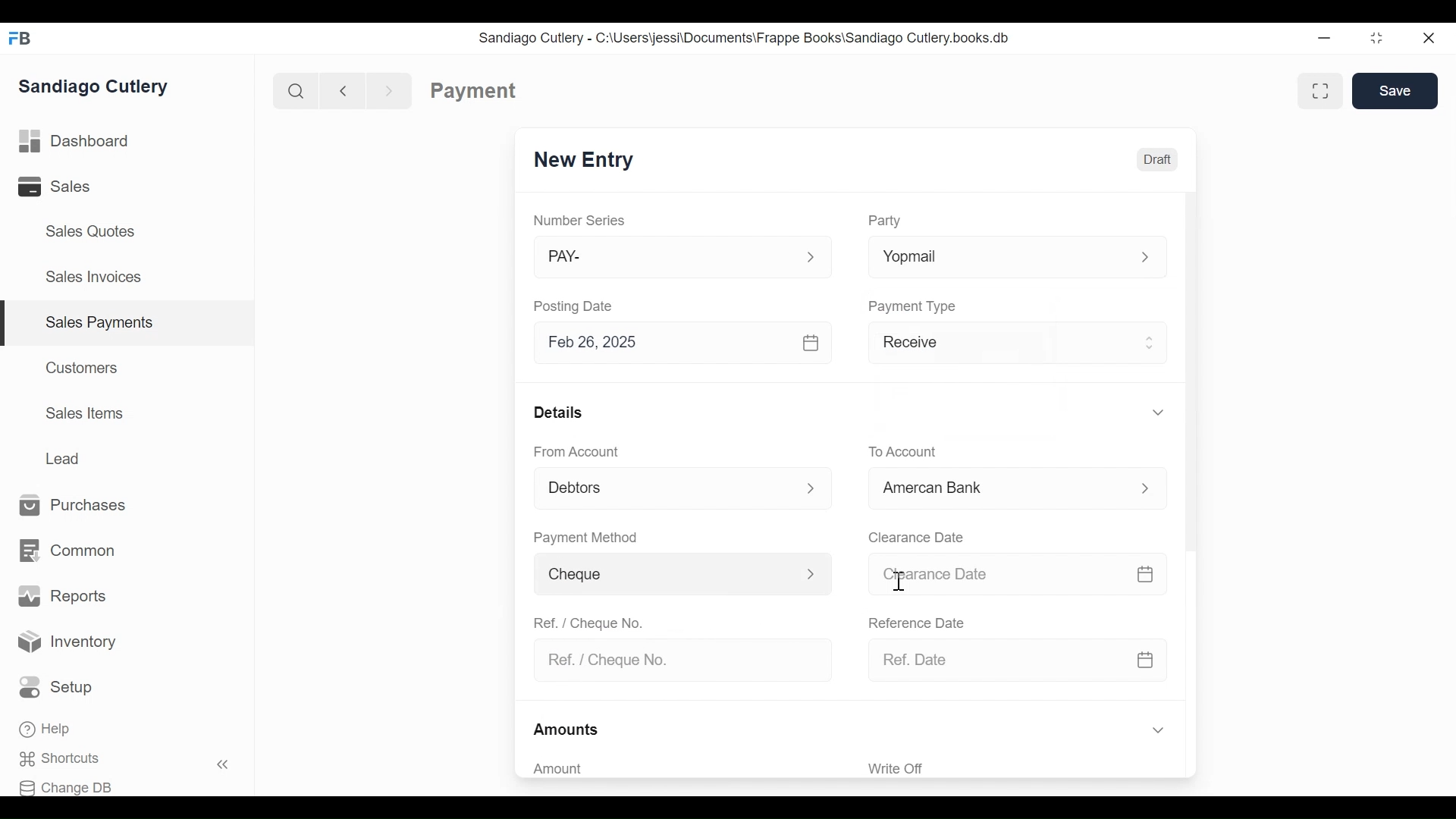 Image resolution: width=1456 pixels, height=819 pixels. Describe the element at coordinates (62, 596) in the screenshot. I see `Reports` at that location.